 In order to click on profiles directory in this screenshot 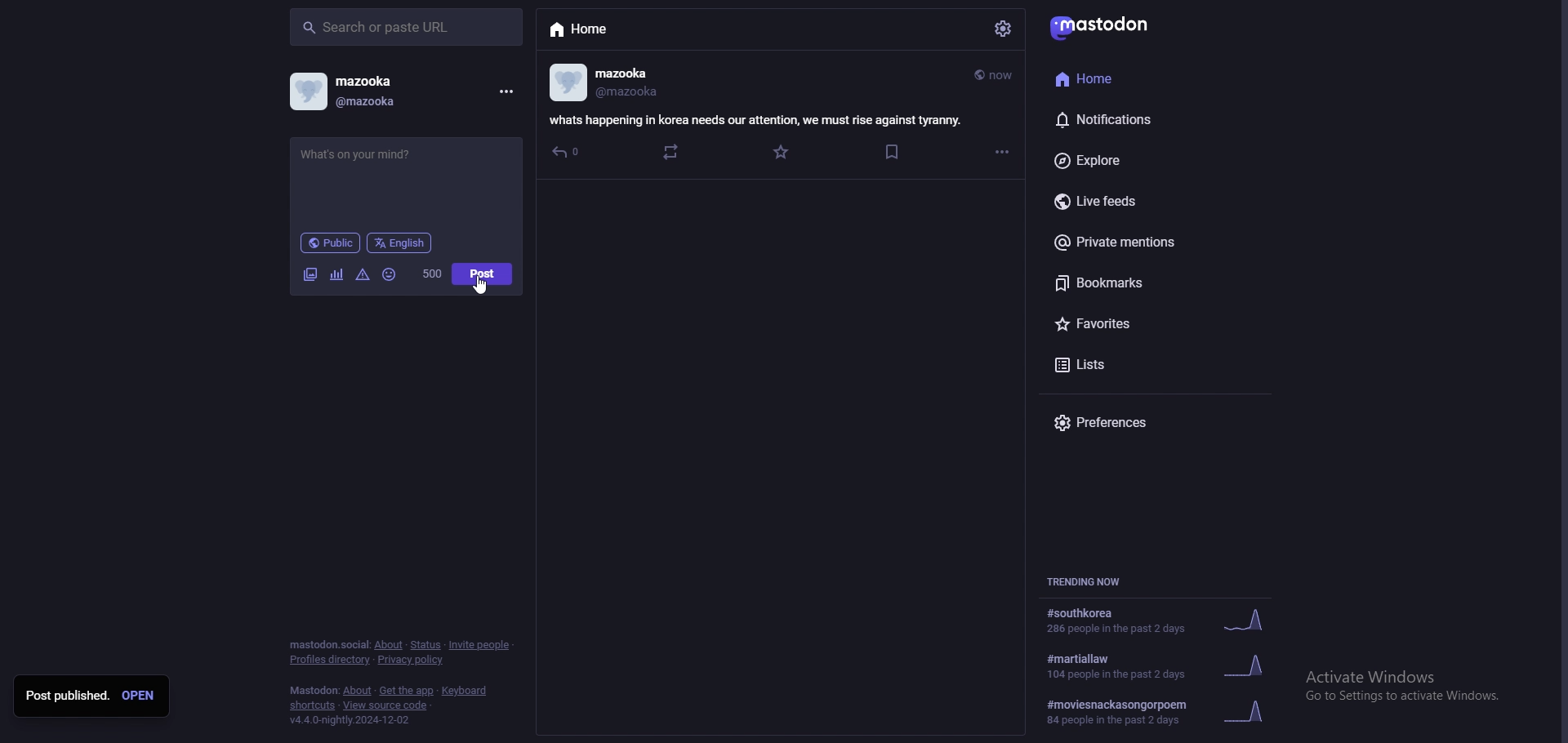, I will do `click(330, 660)`.